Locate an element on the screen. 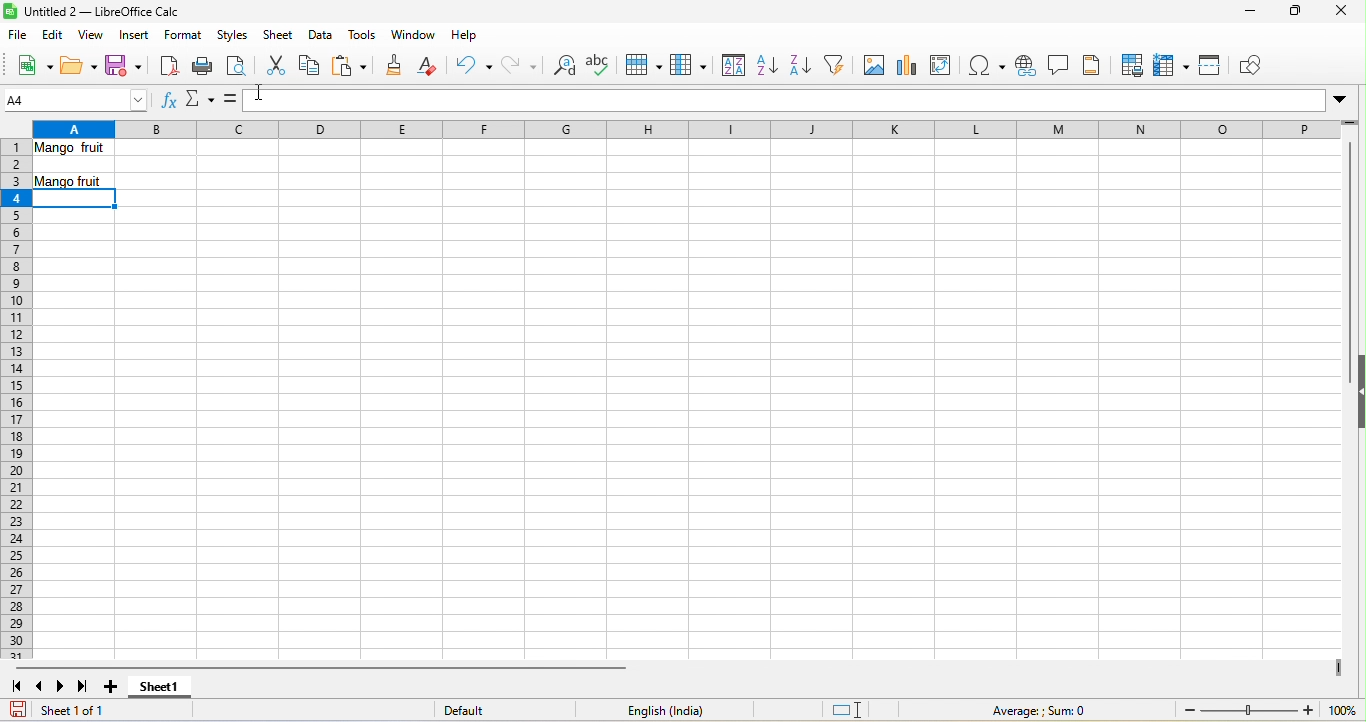  window is located at coordinates (417, 34).